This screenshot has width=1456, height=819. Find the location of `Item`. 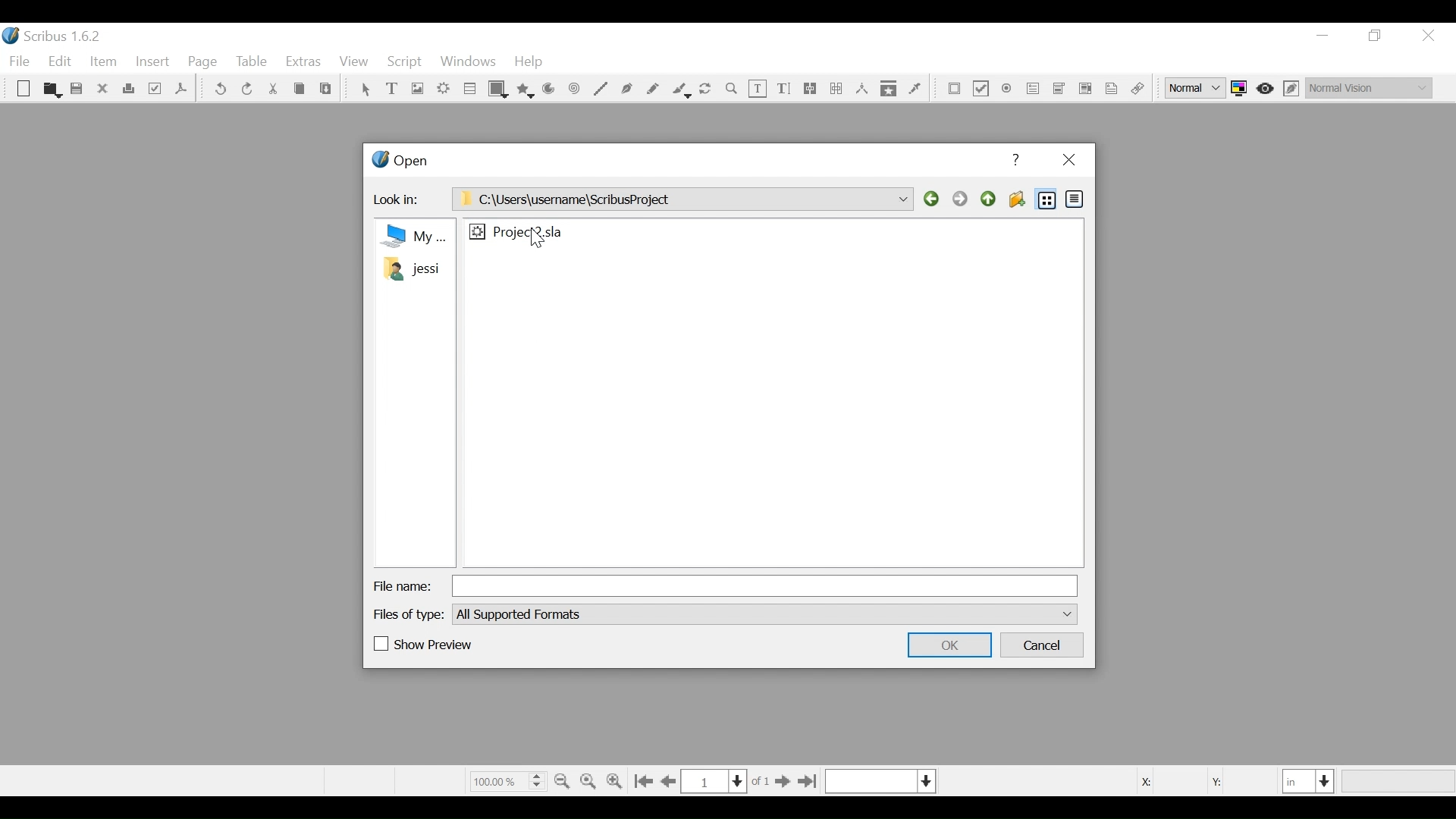

Item is located at coordinates (102, 62).